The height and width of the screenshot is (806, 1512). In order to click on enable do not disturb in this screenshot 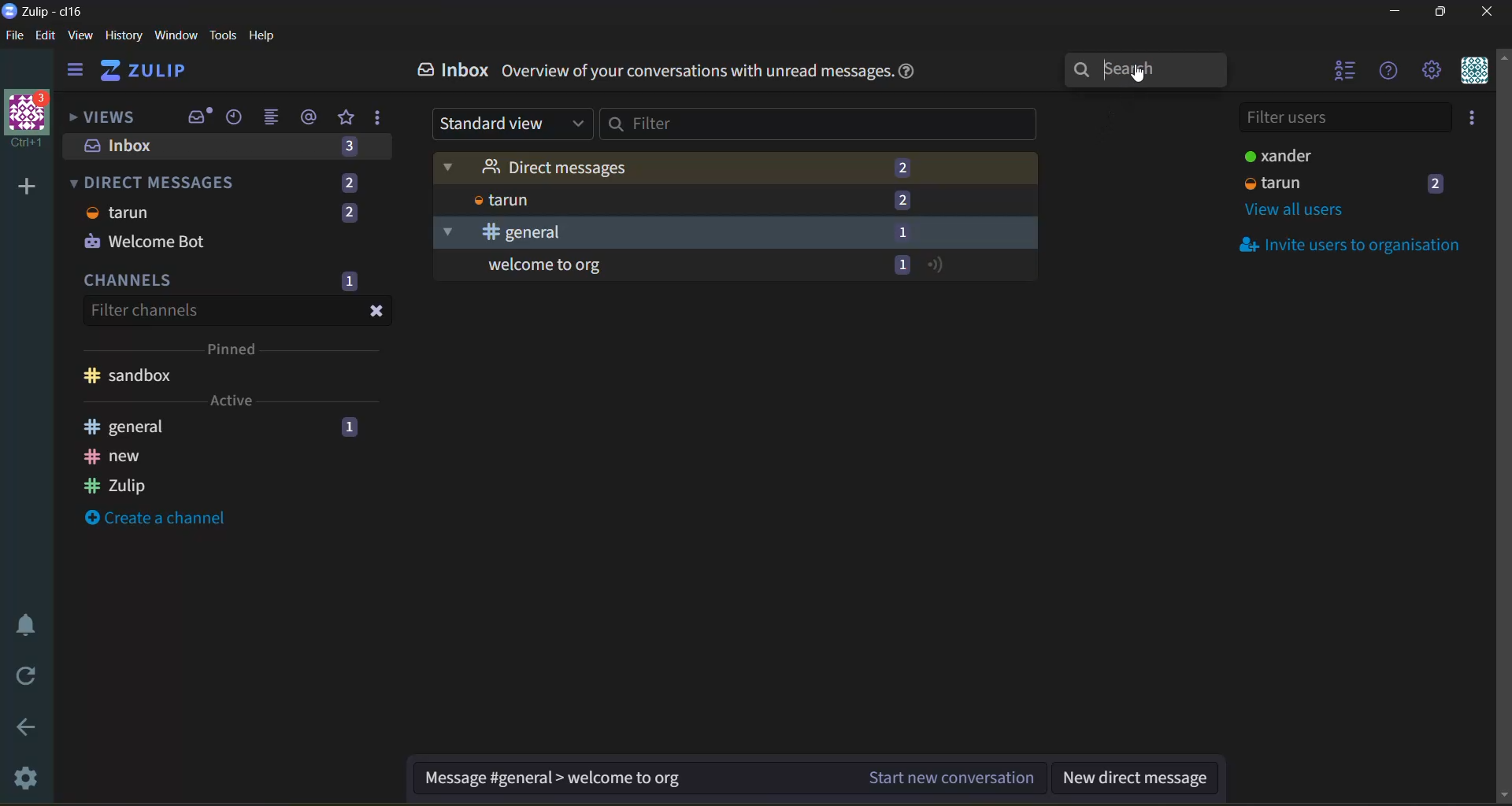, I will do `click(31, 623)`.